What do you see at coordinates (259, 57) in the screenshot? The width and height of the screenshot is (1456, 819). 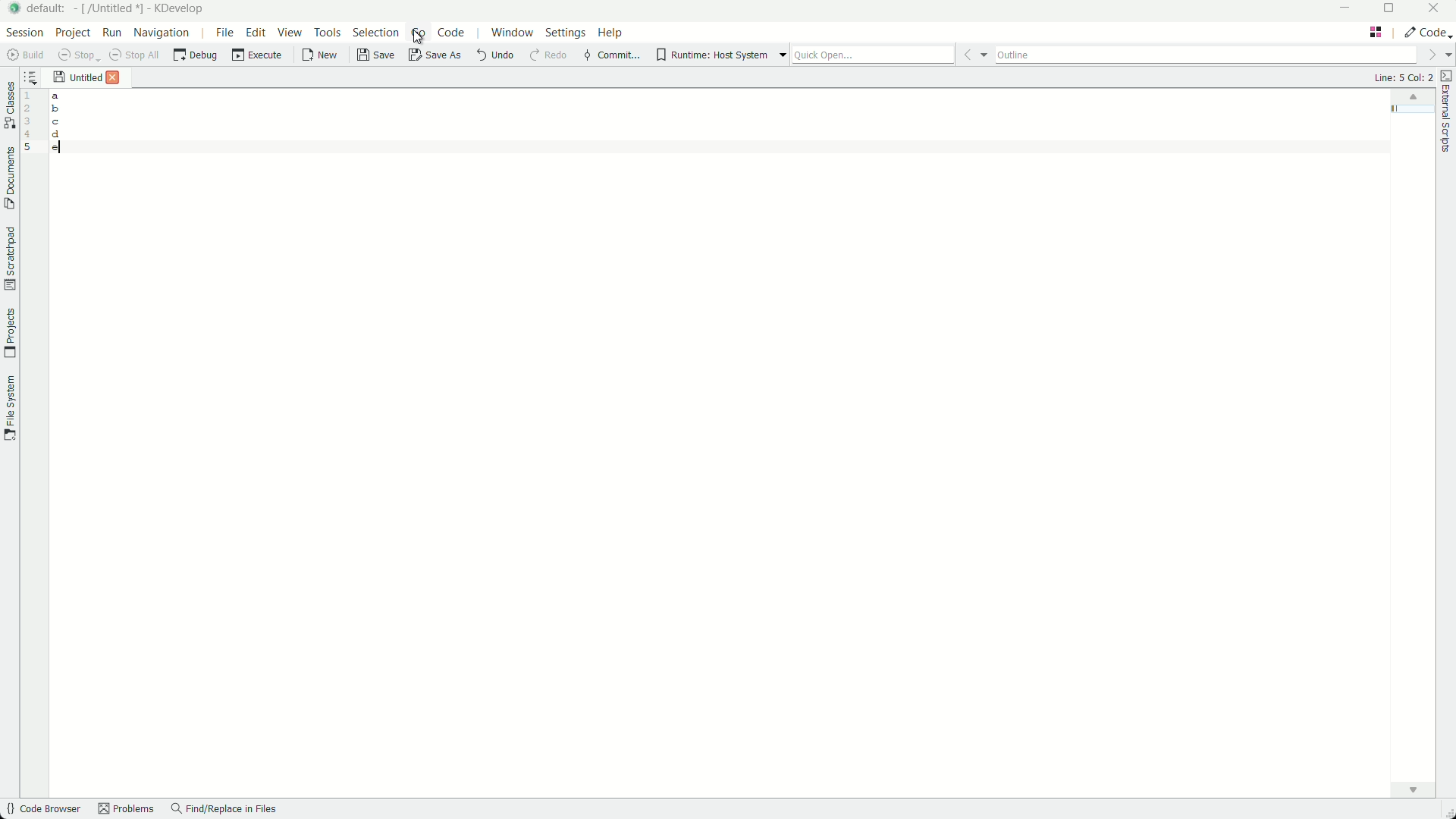 I see `execute` at bounding box center [259, 57].